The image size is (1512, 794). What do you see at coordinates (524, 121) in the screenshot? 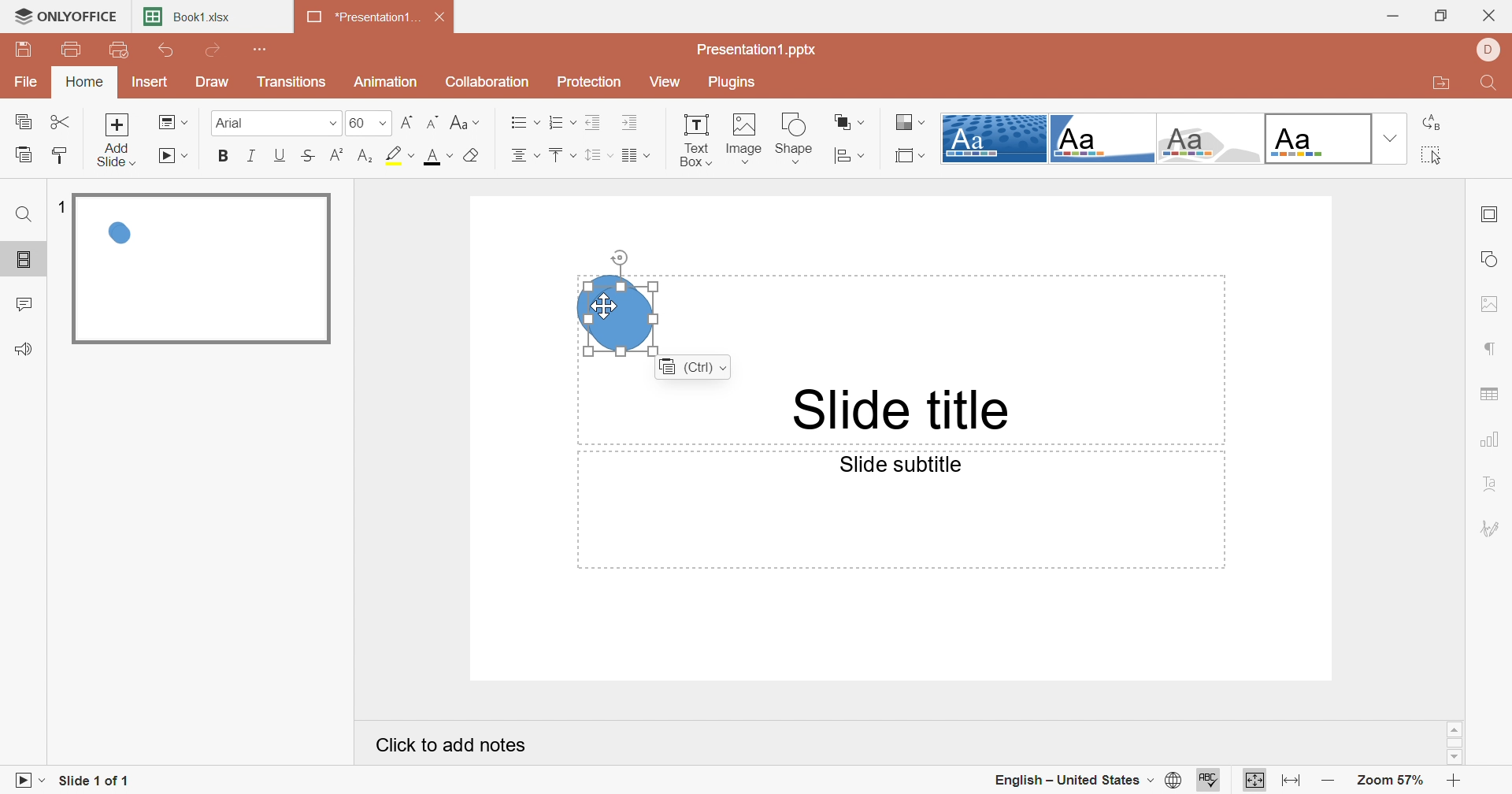
I see `Horizontal align` at bounding box center [524, 121].